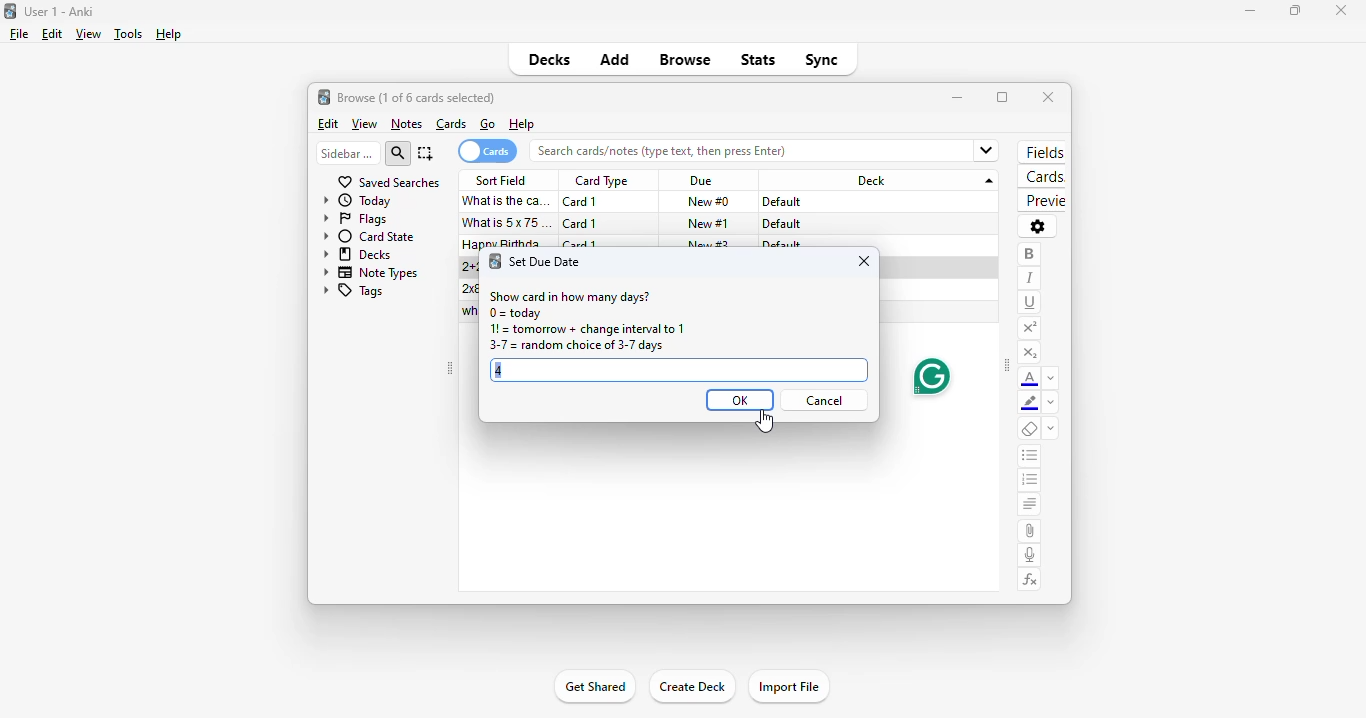  What do you see at coordinates (372, 272) in the screenshot?
I see `note types` at bounding box center [372, 272].